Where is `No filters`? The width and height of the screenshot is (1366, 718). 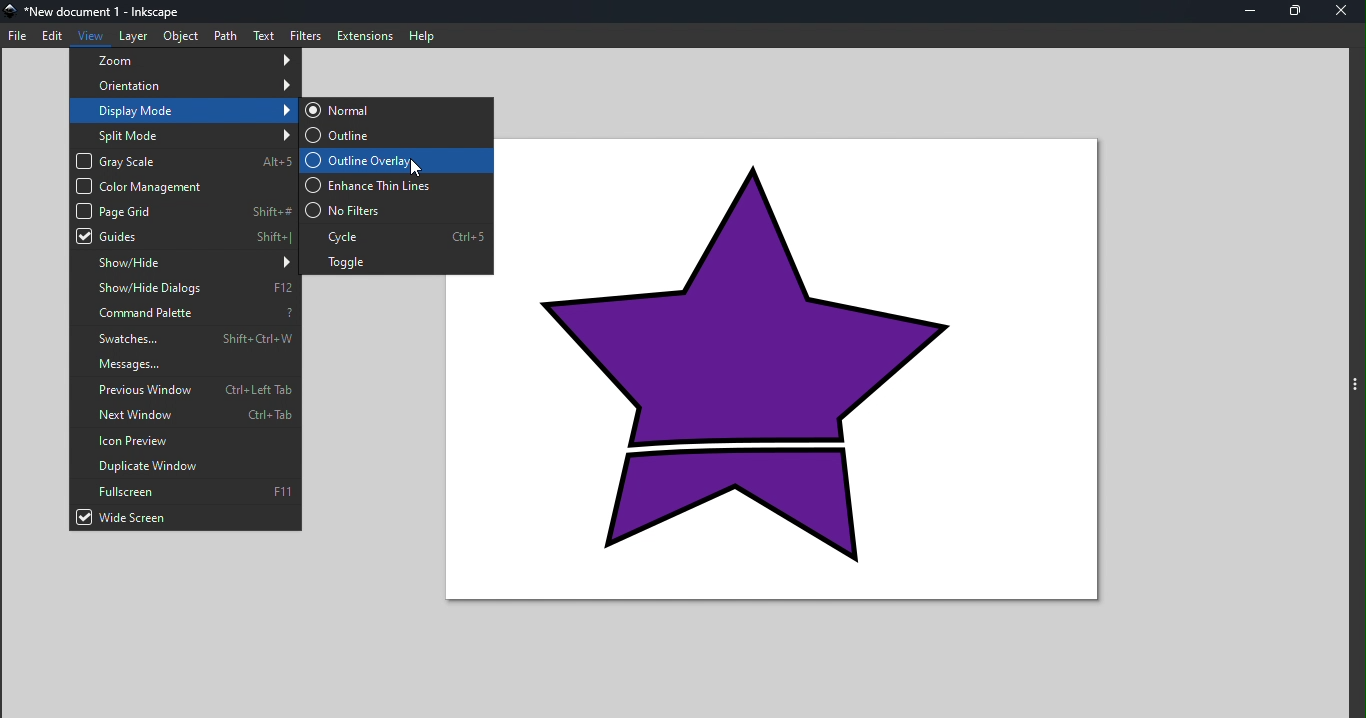
No filters is located at coordinates (394, 210).